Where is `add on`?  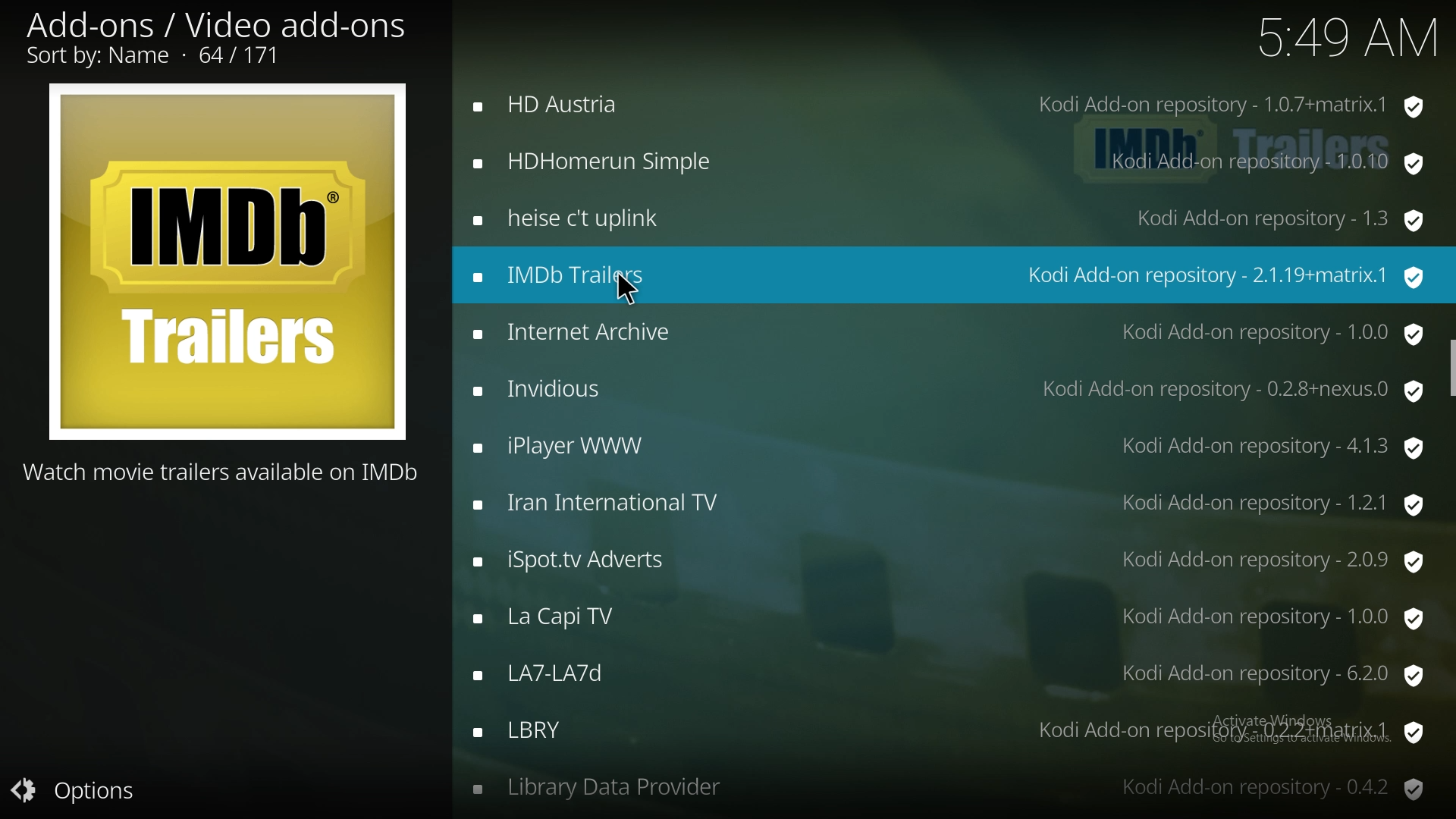
add on is located at coordinates (951, 560).